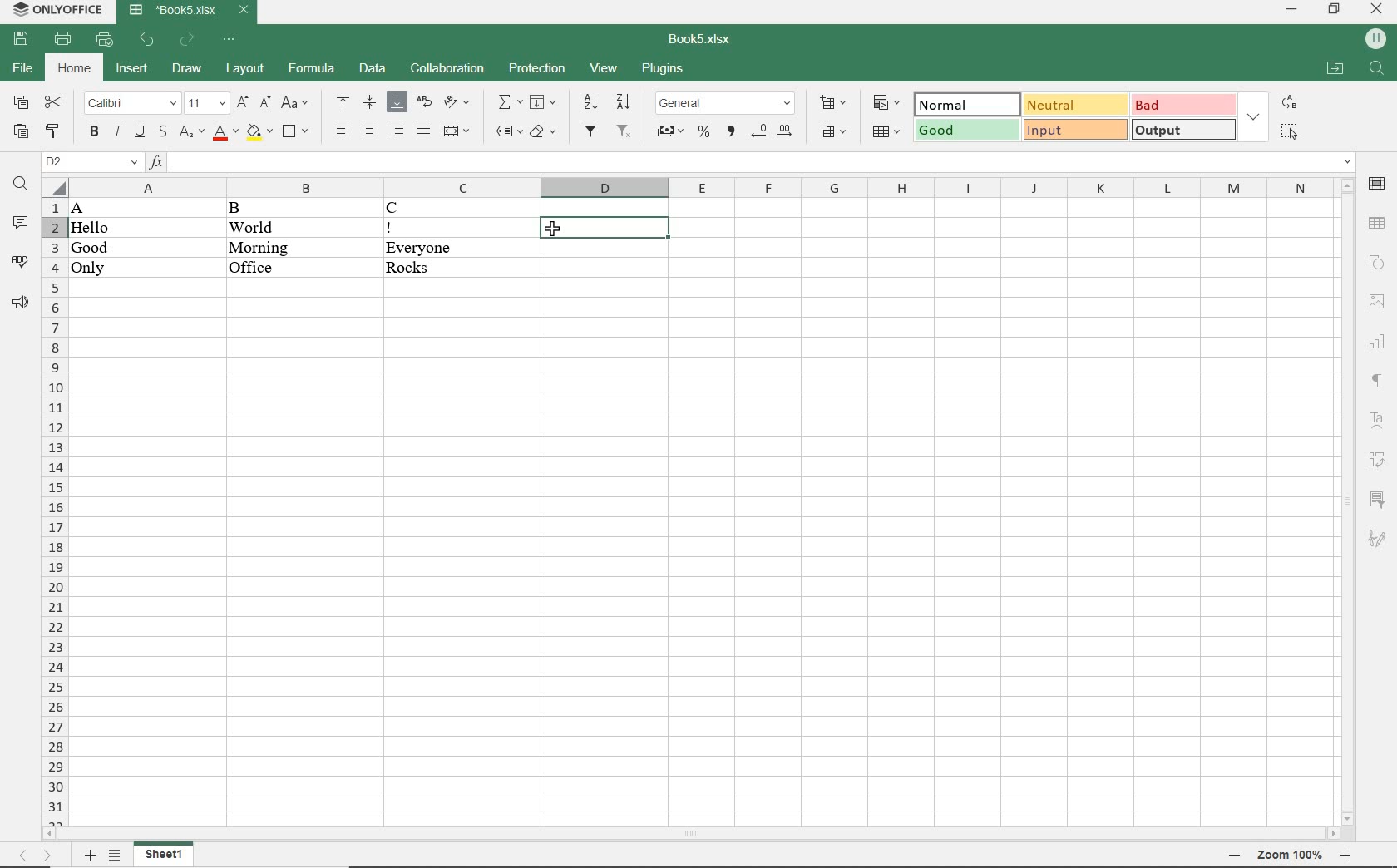 This screenshot has width=1397, height=868. What do you see at coordinates (91, 161) in the screenshot?
I see `name manager` at bounding box center [91, 161].